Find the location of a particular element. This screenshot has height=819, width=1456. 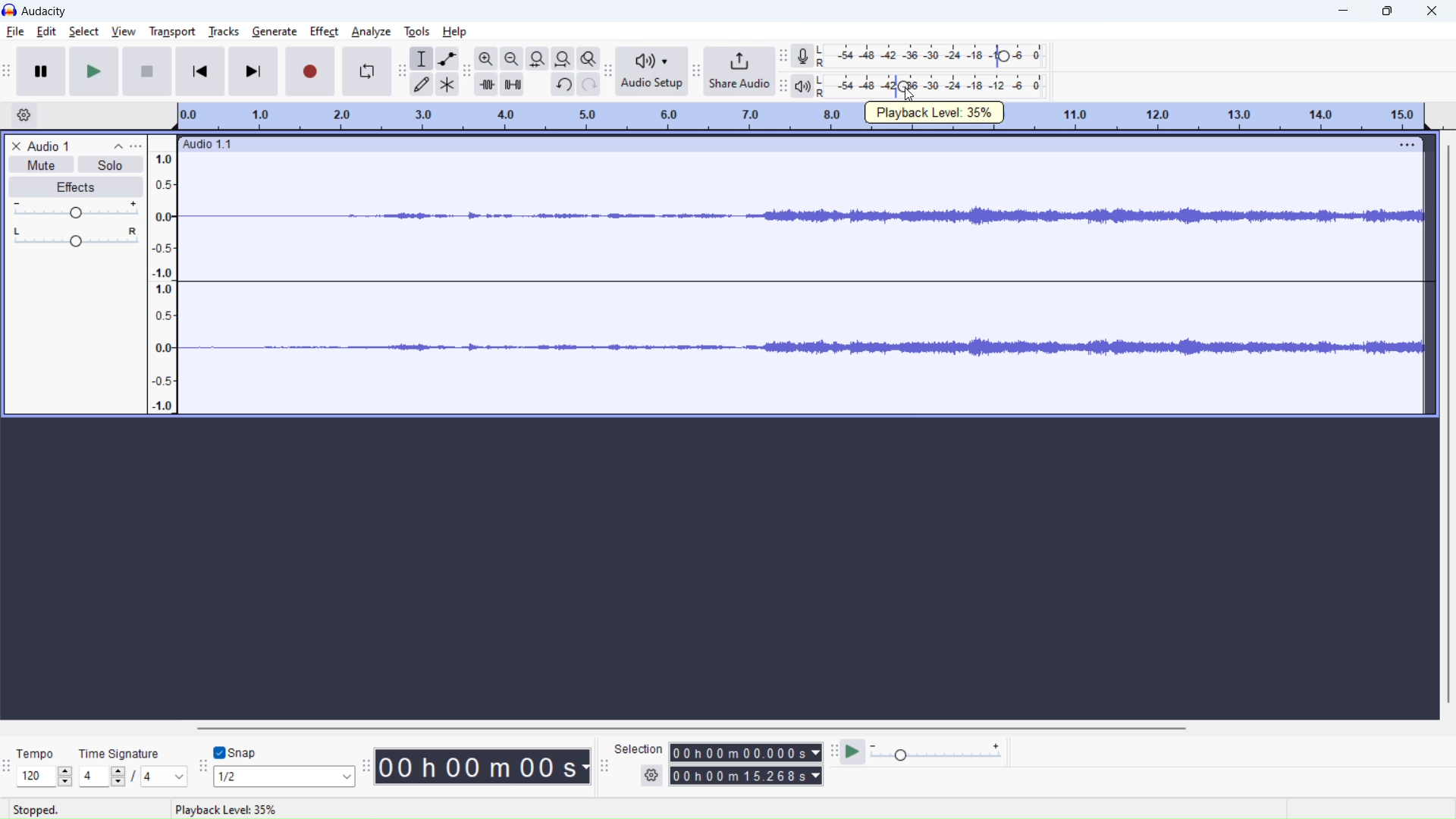

silence selection is located at coordinates (511, 83).